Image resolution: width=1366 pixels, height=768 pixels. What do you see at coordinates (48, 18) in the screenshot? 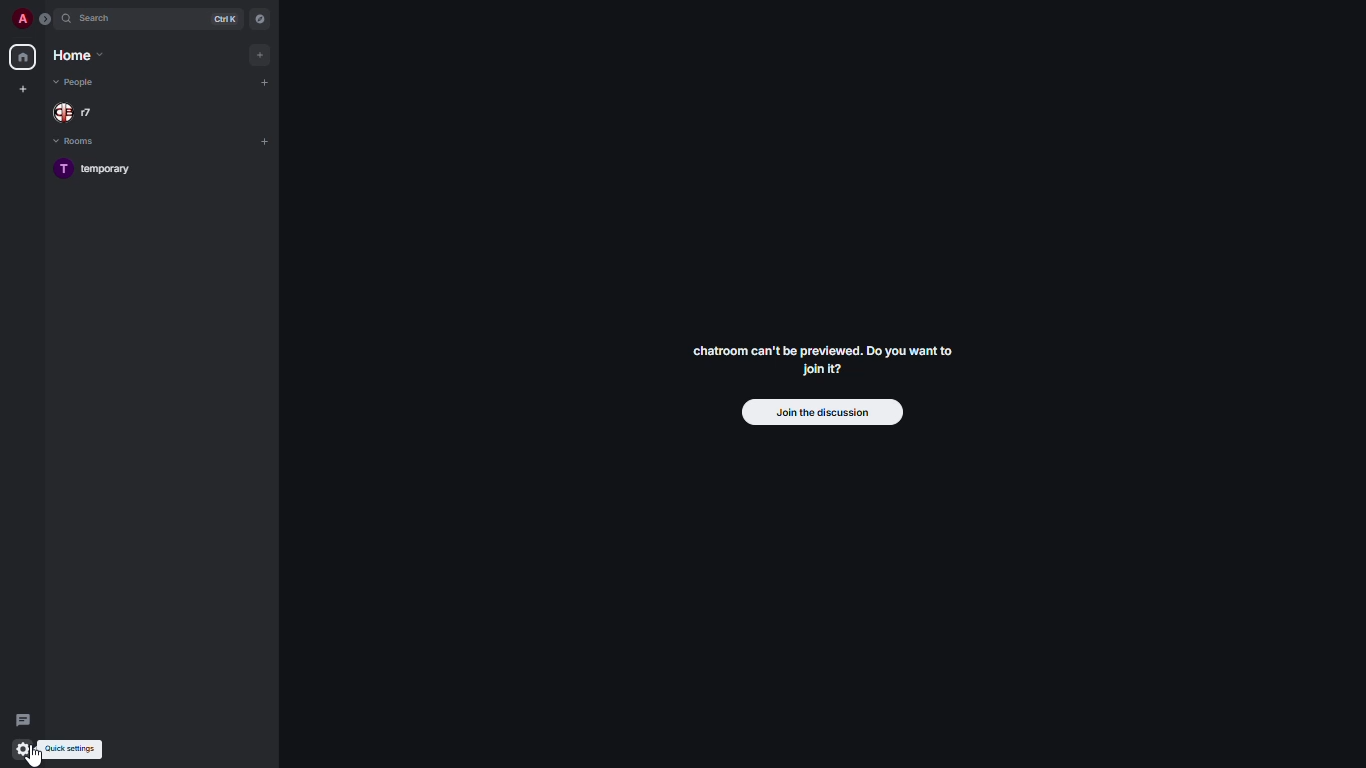
I see `expand` at bounding box center [48, 18].